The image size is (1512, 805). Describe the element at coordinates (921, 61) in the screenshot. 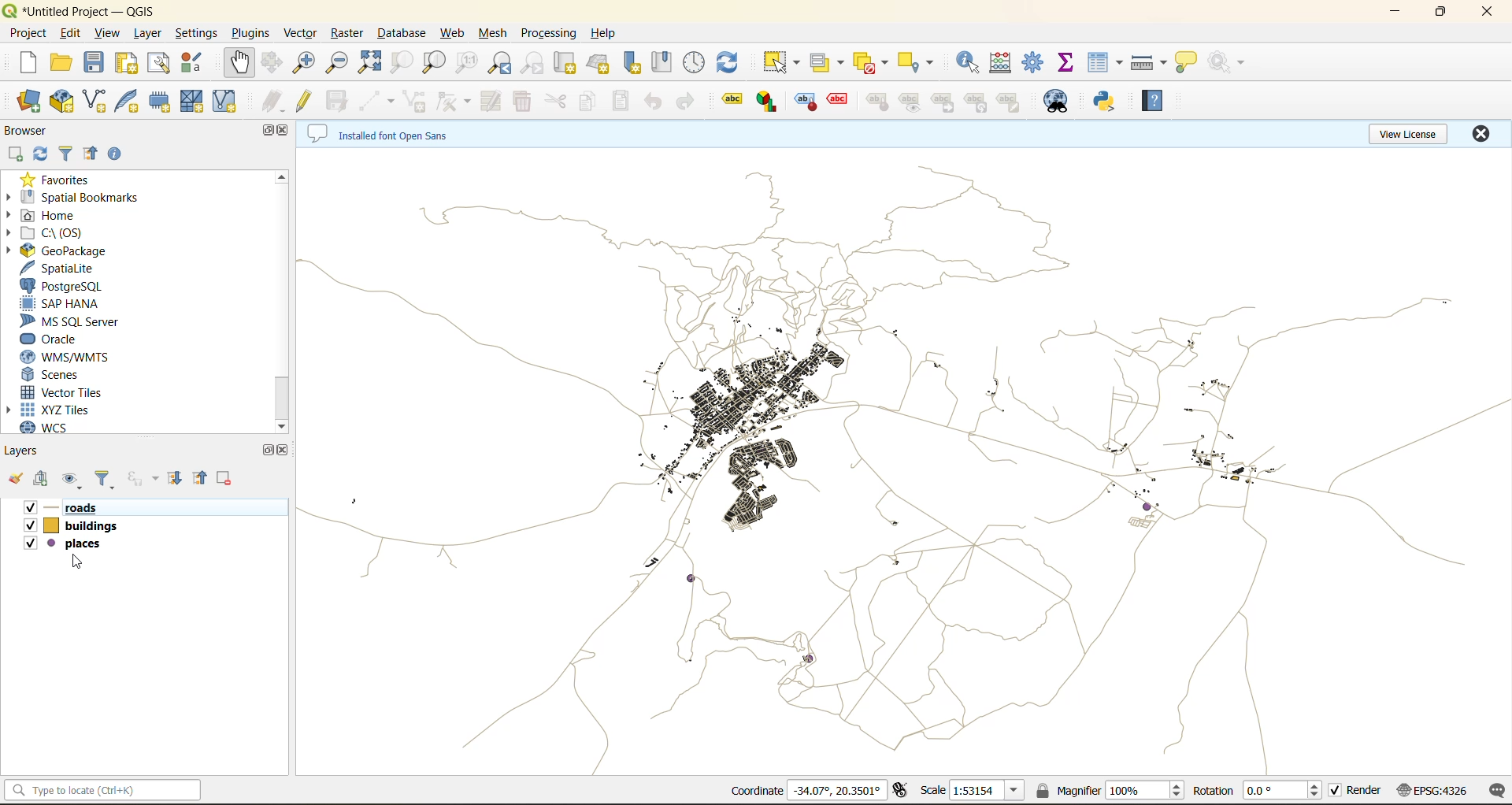

I see `select location` at that location.